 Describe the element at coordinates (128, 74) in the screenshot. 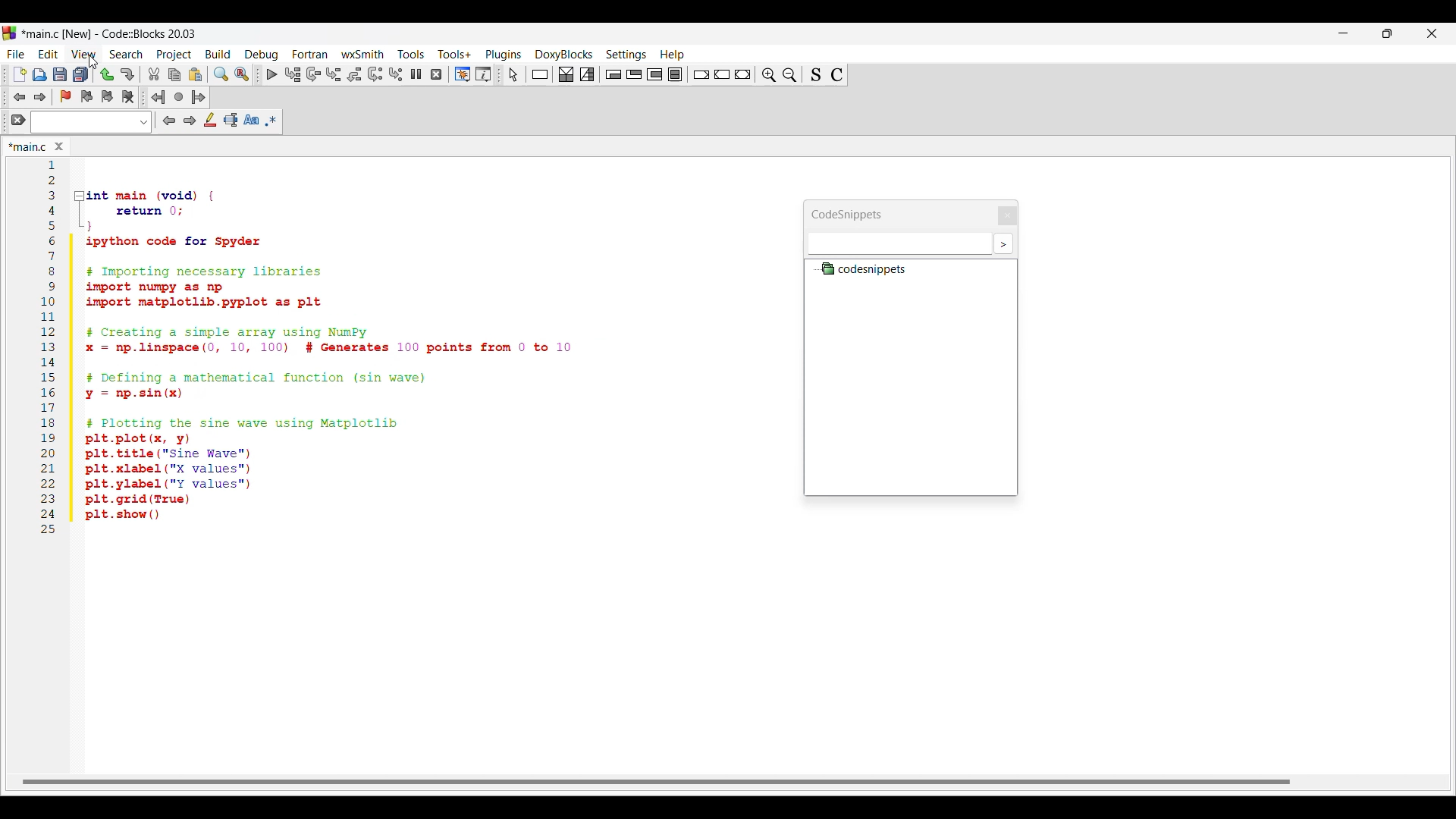

I see `Redo` at that location.